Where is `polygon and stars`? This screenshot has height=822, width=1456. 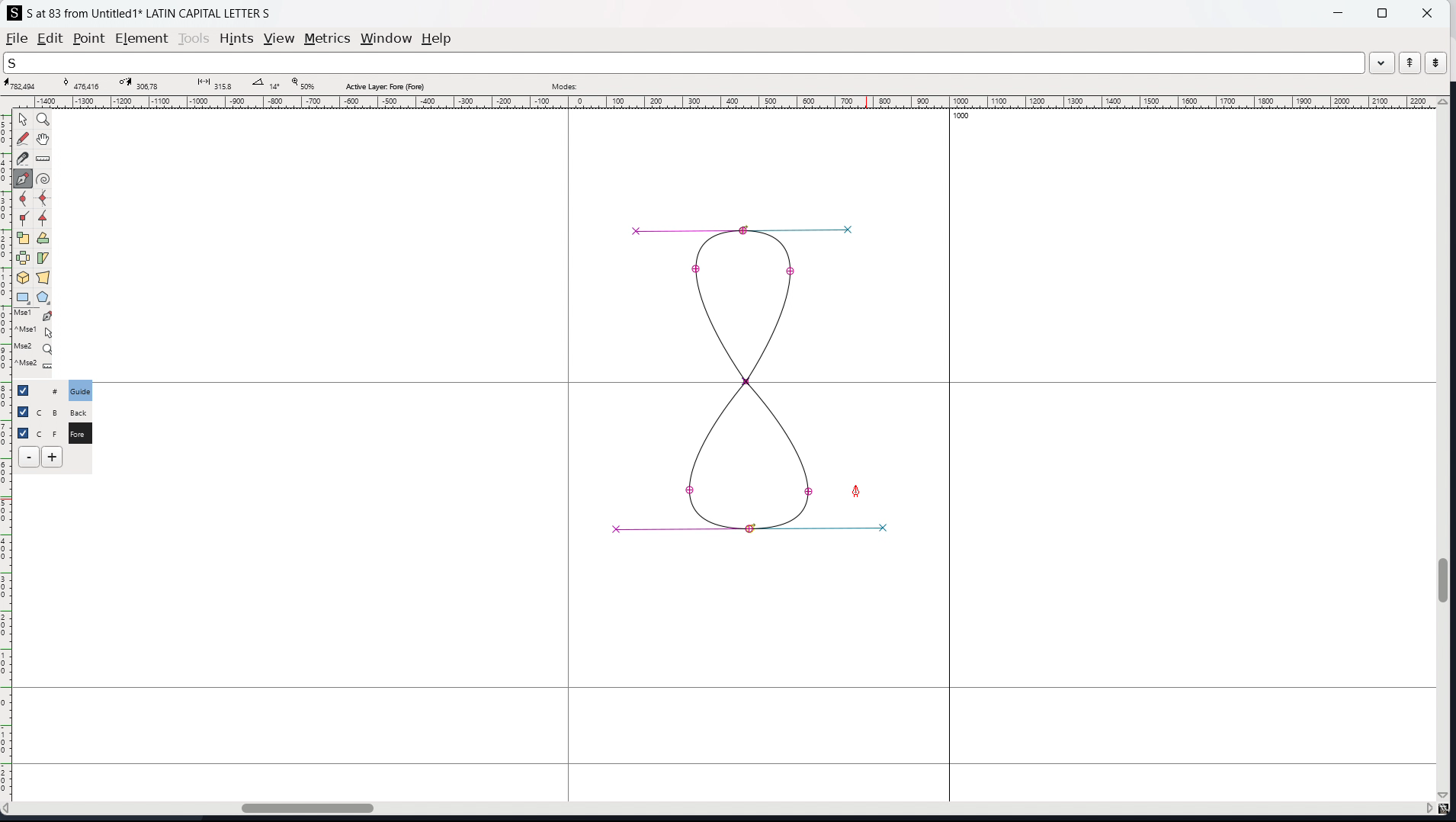 polygon and stars is located at coordinates (44, 298).